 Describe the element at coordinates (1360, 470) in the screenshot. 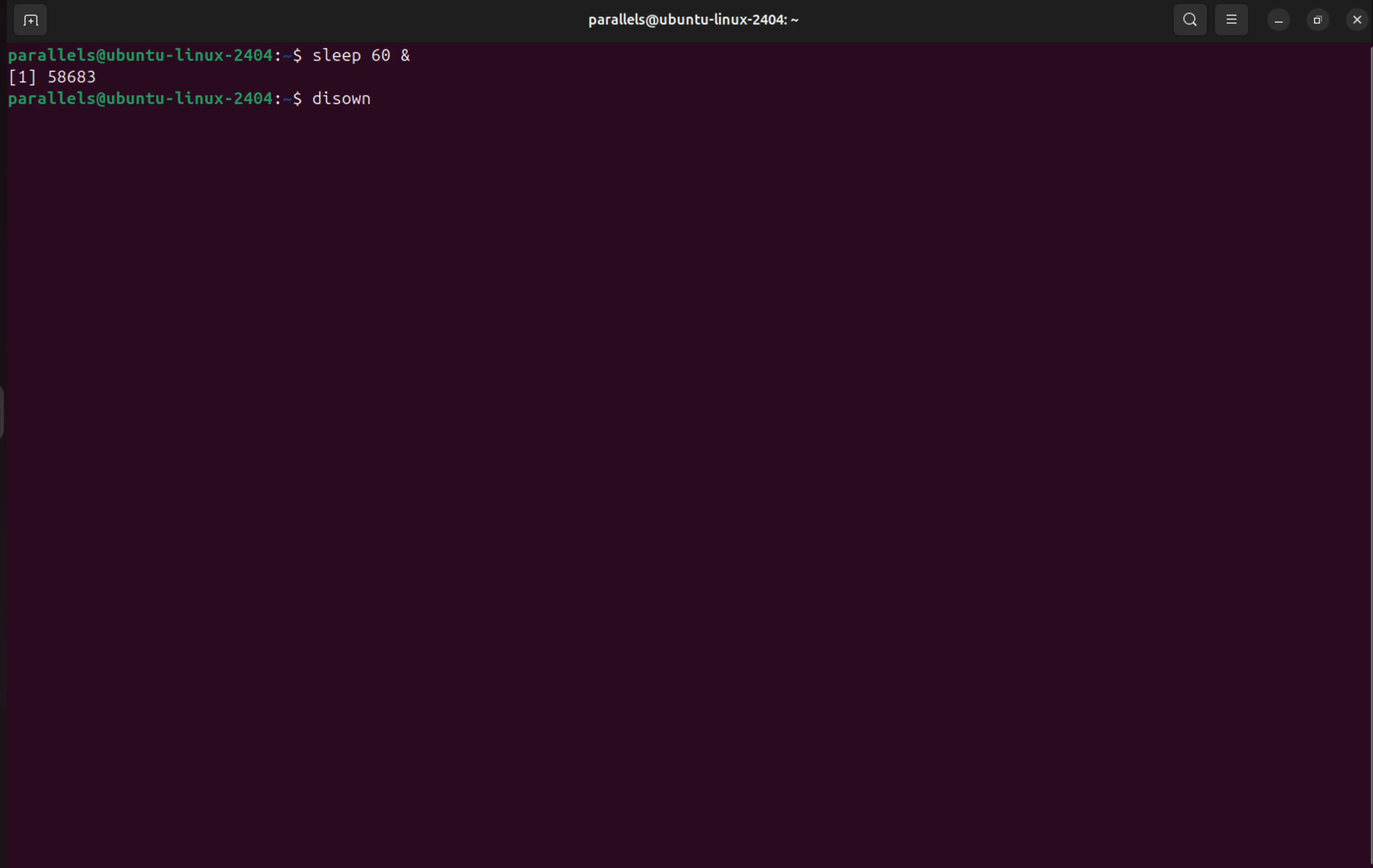

I see `Scrollbar` at that location.